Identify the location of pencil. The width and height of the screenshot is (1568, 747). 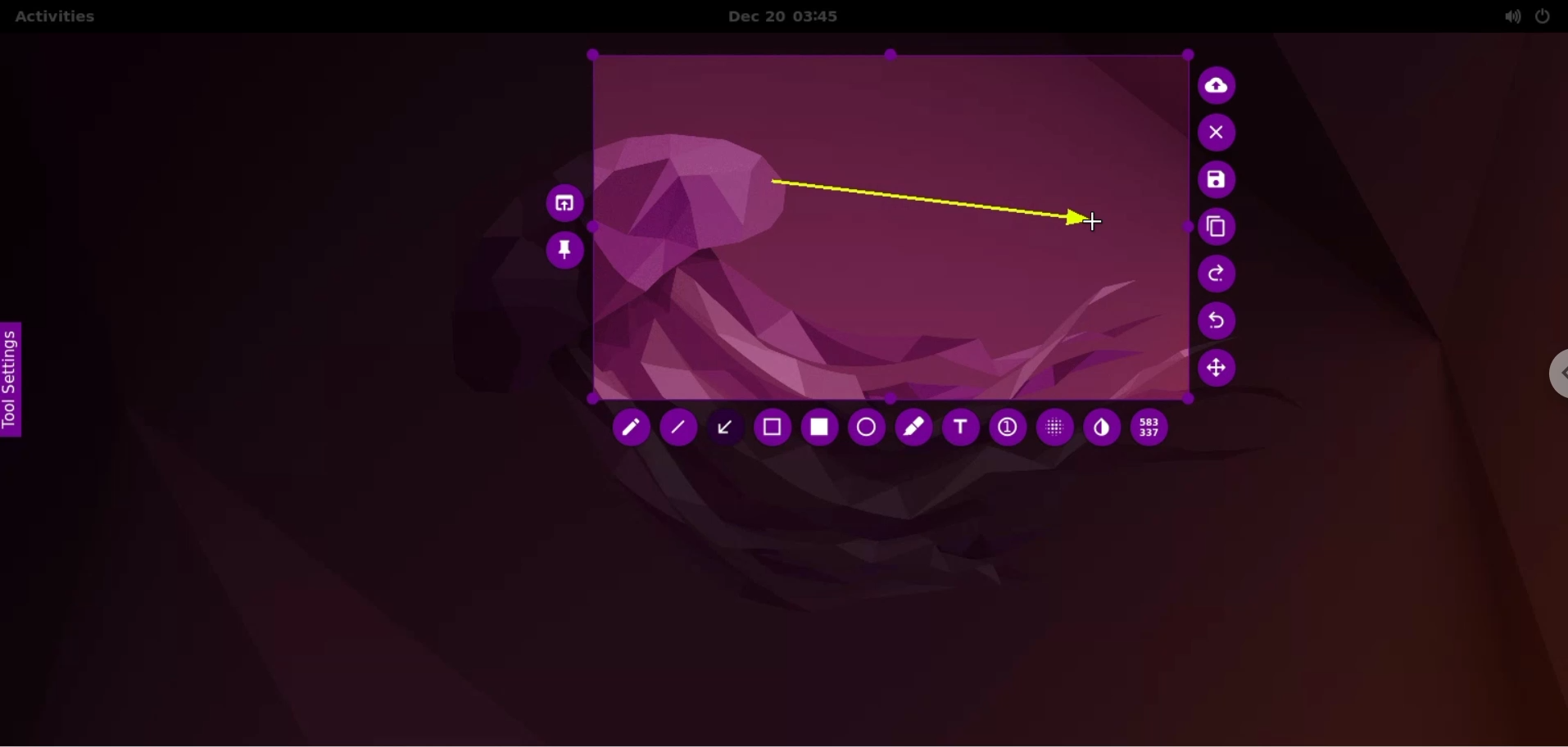
(628, 429).